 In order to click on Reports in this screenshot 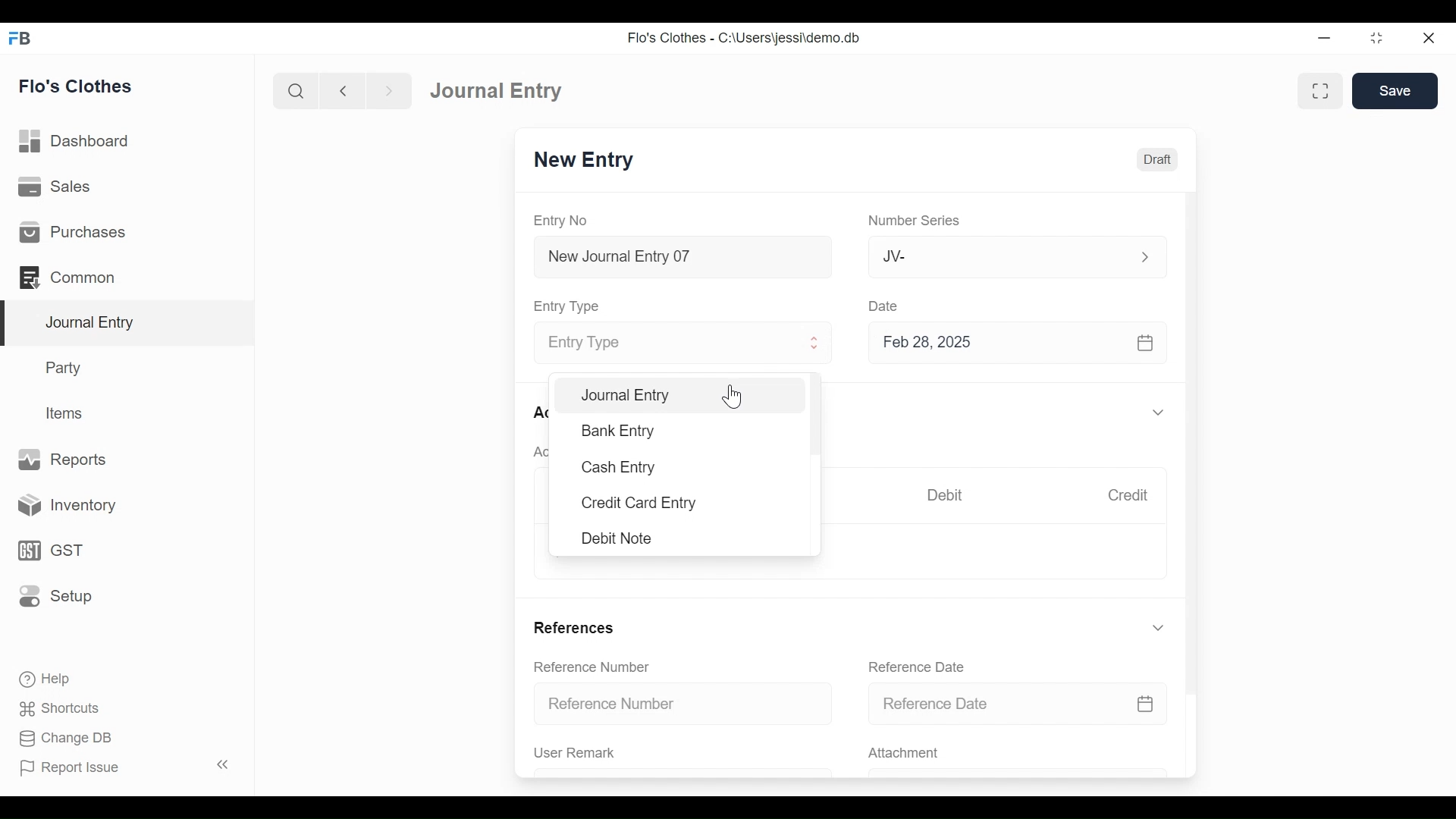, I will do `click(64, 458)`.